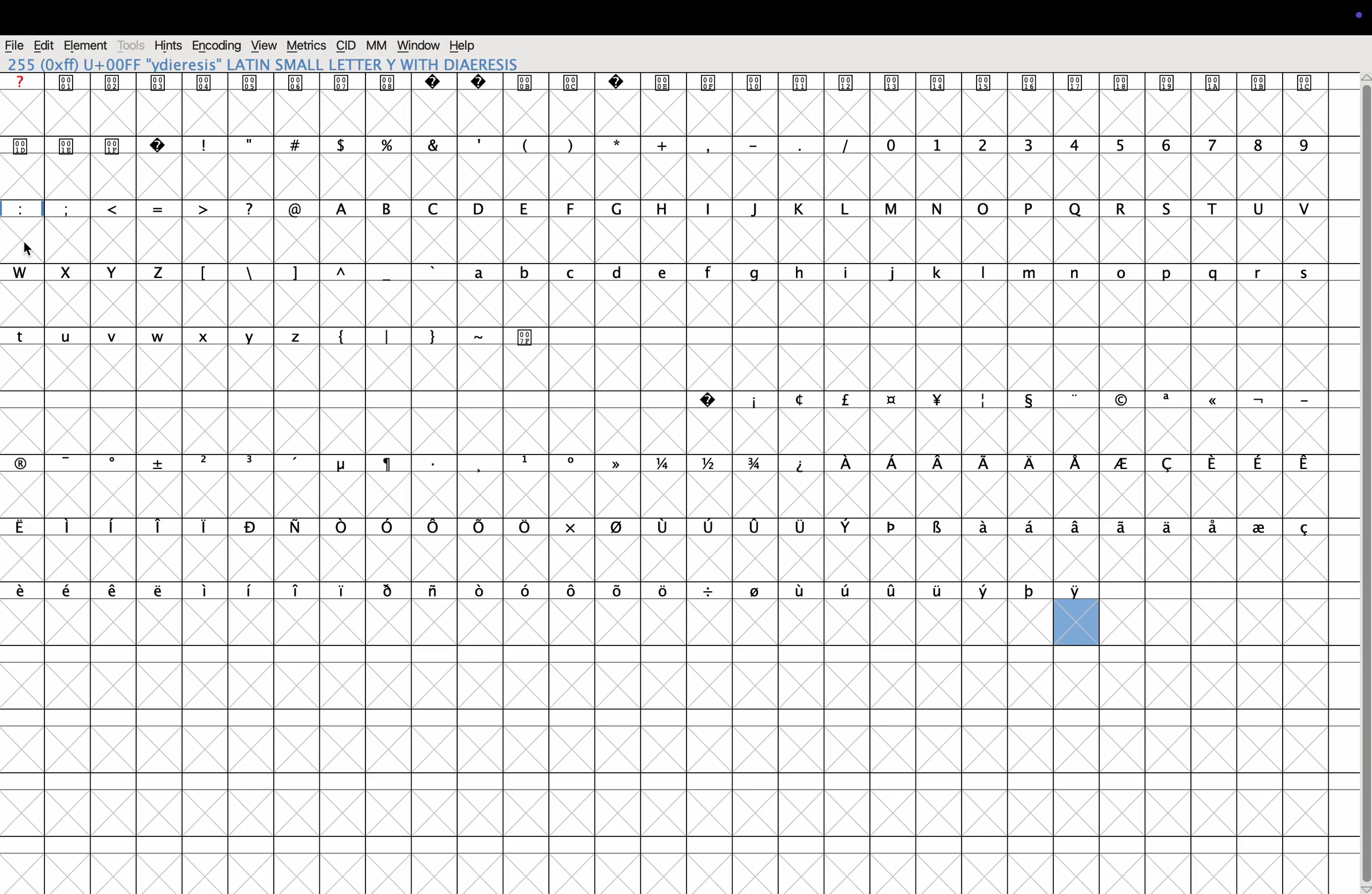 The height and width of the screenshot is (894, 1372). I want to click on y, so click(117, 291).